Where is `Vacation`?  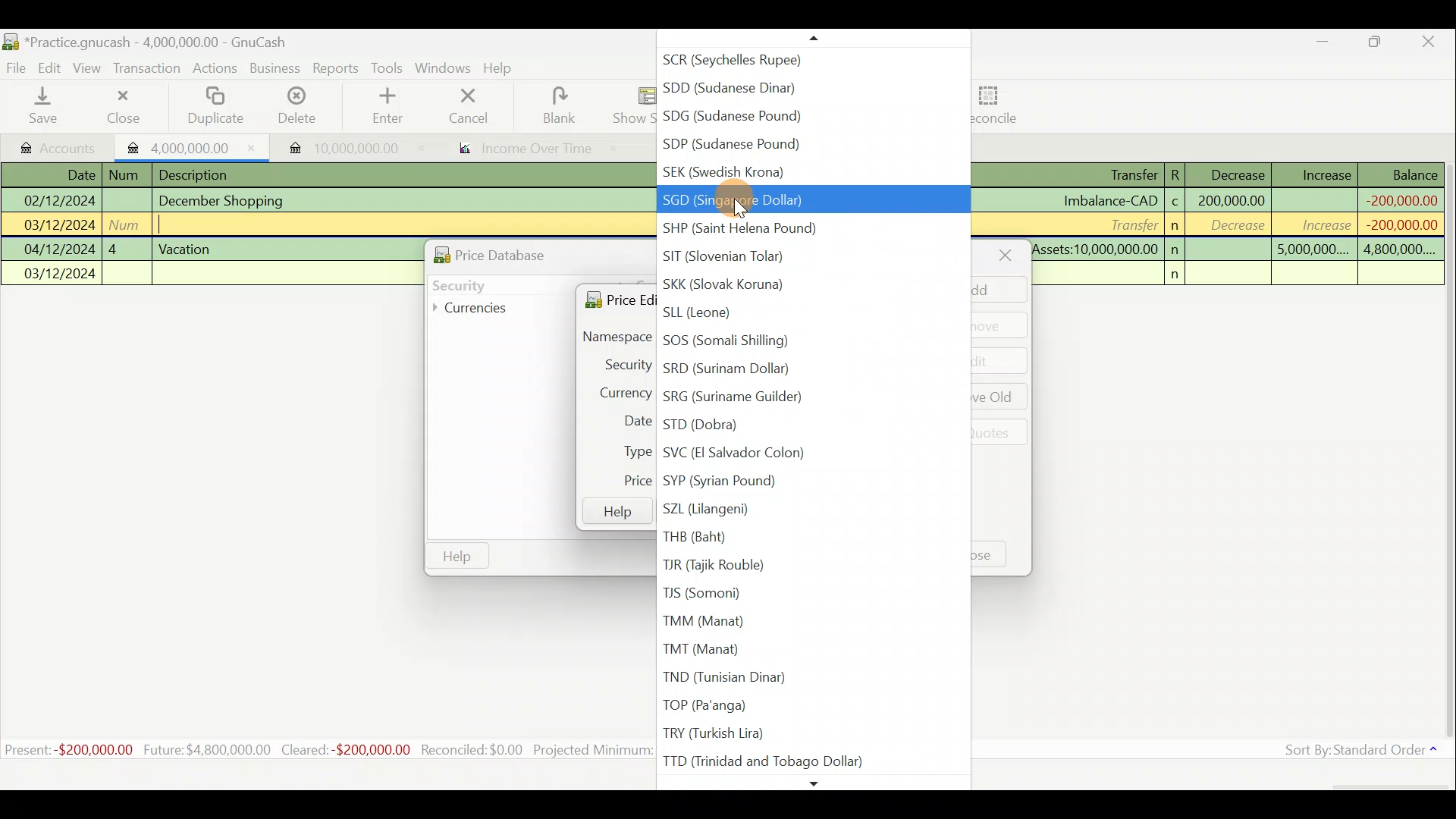 Vacation is located at coordinates (187, 247).